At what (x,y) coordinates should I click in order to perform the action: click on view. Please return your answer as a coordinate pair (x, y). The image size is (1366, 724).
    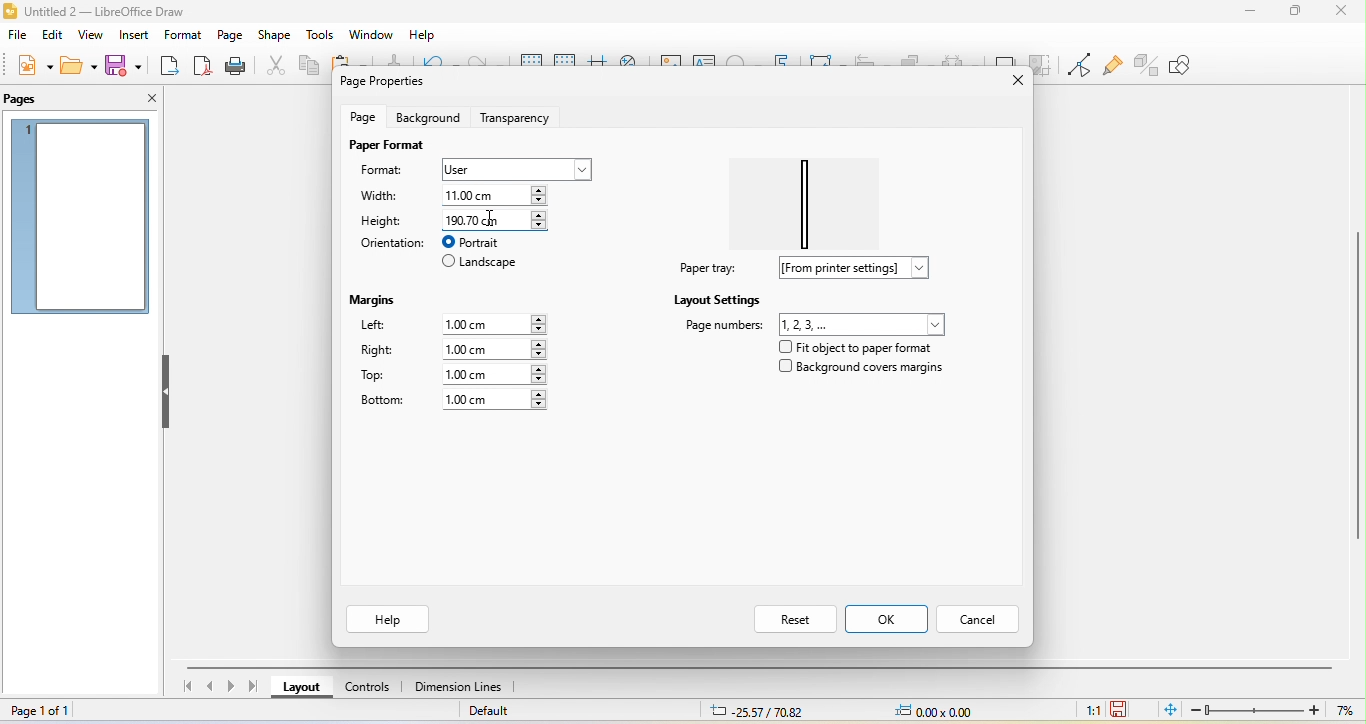
    Looking at the image, I should click on (89, 37).